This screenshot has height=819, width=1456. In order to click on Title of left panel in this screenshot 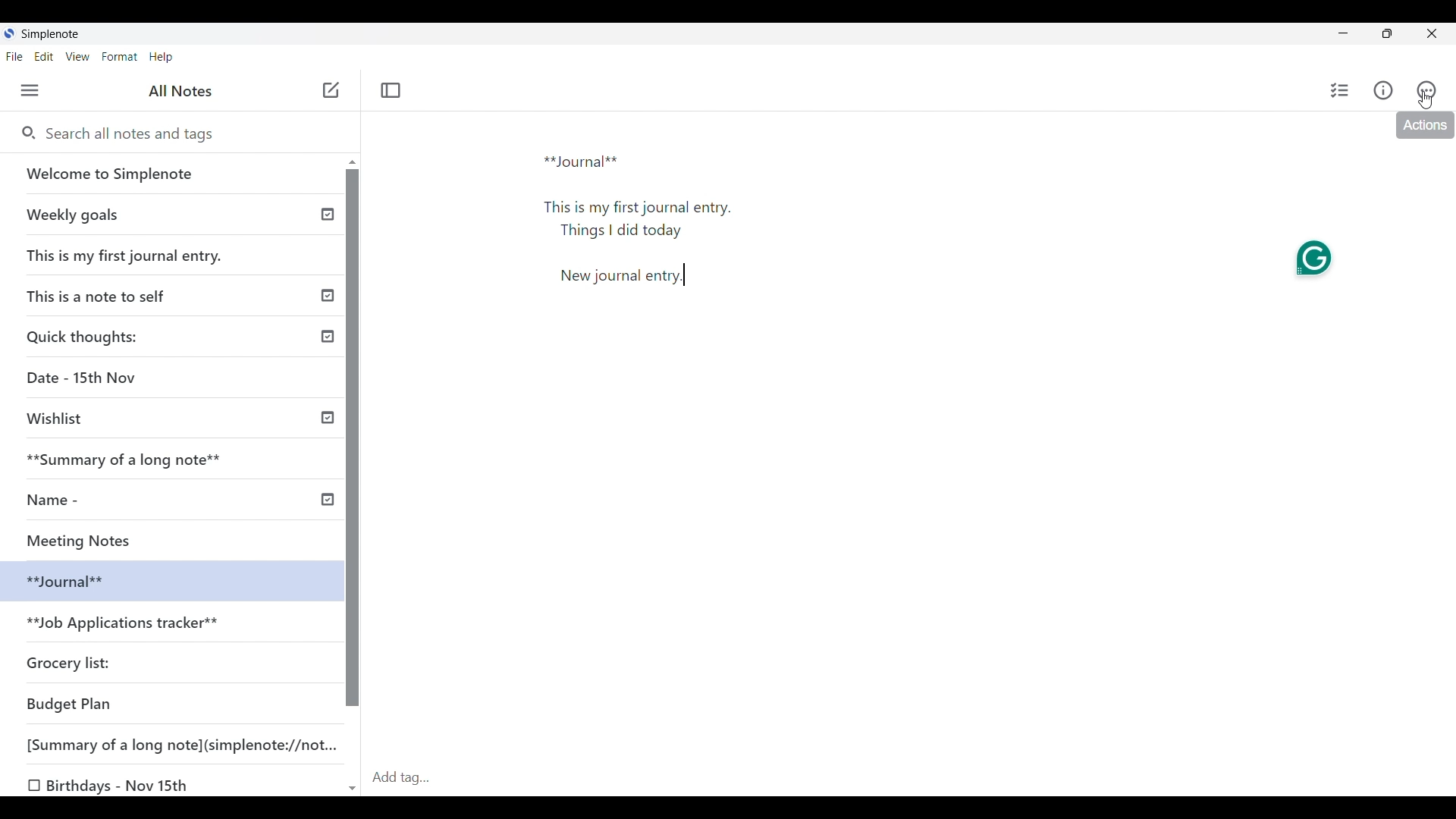, I will do `click(180, 91)`.